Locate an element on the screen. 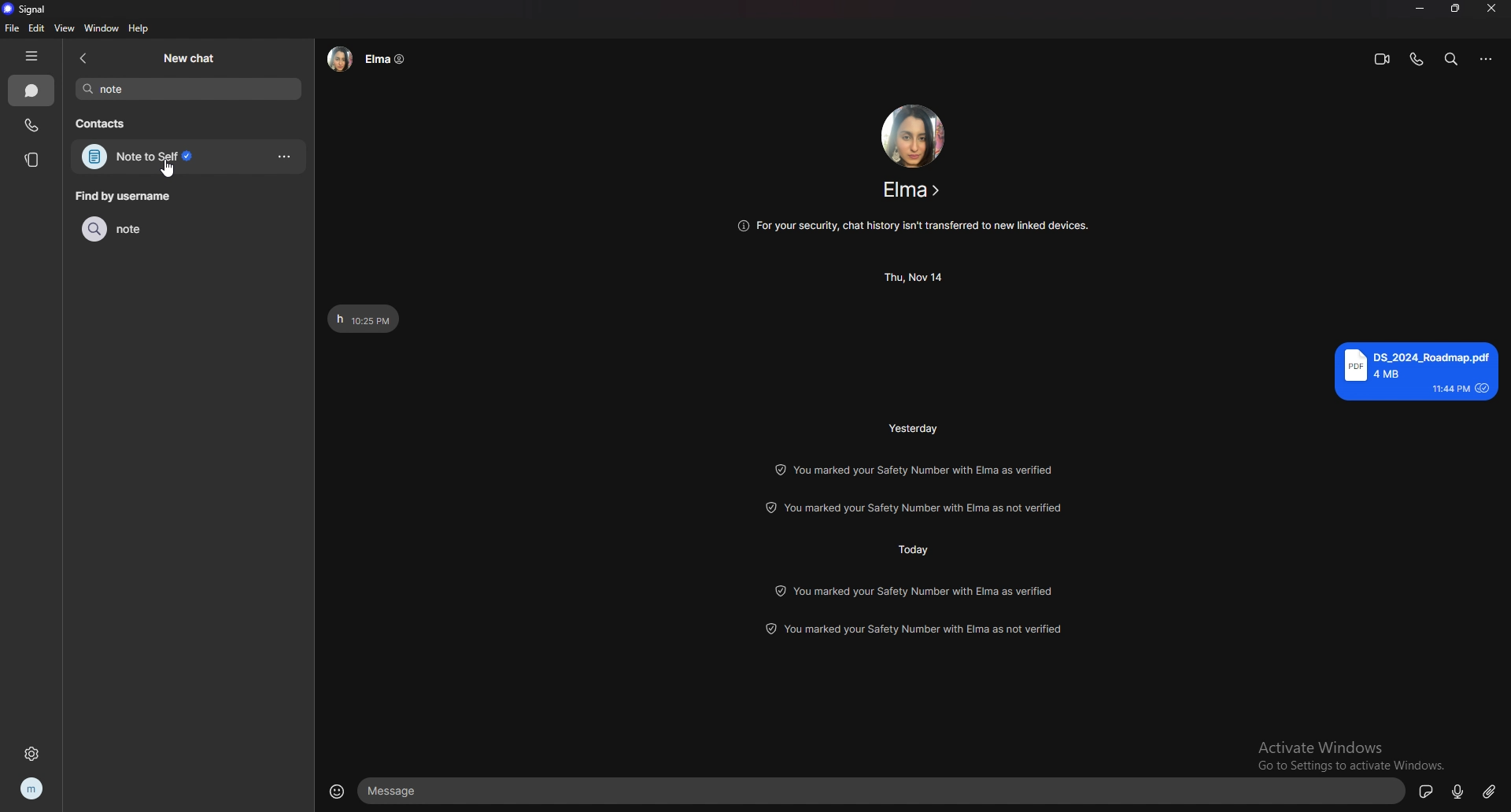 The image size is (1511, 812). help is located at coordinates (140, 28).